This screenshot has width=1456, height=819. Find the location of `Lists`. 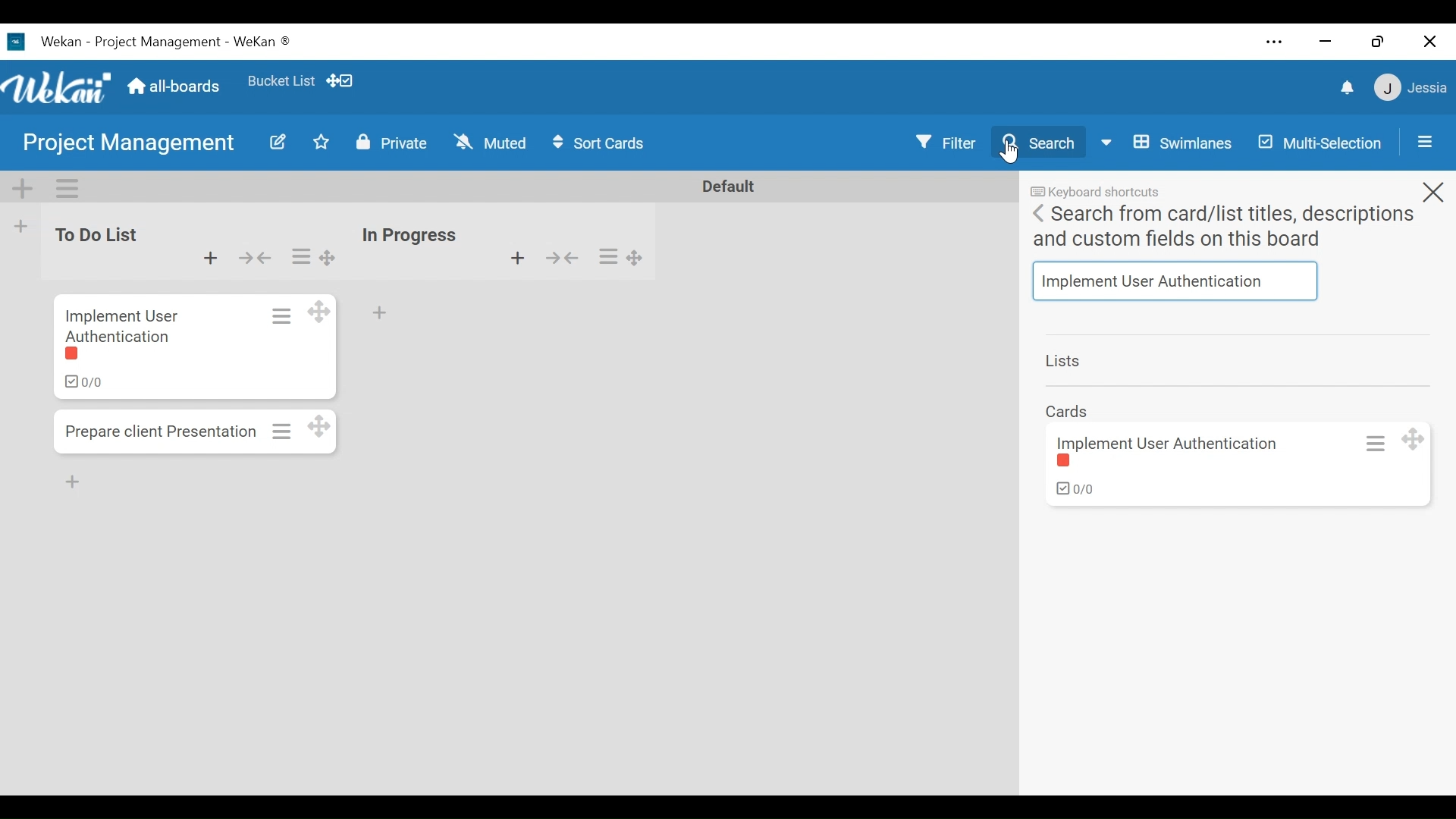

Lists is located at coordinates (1065, 361).